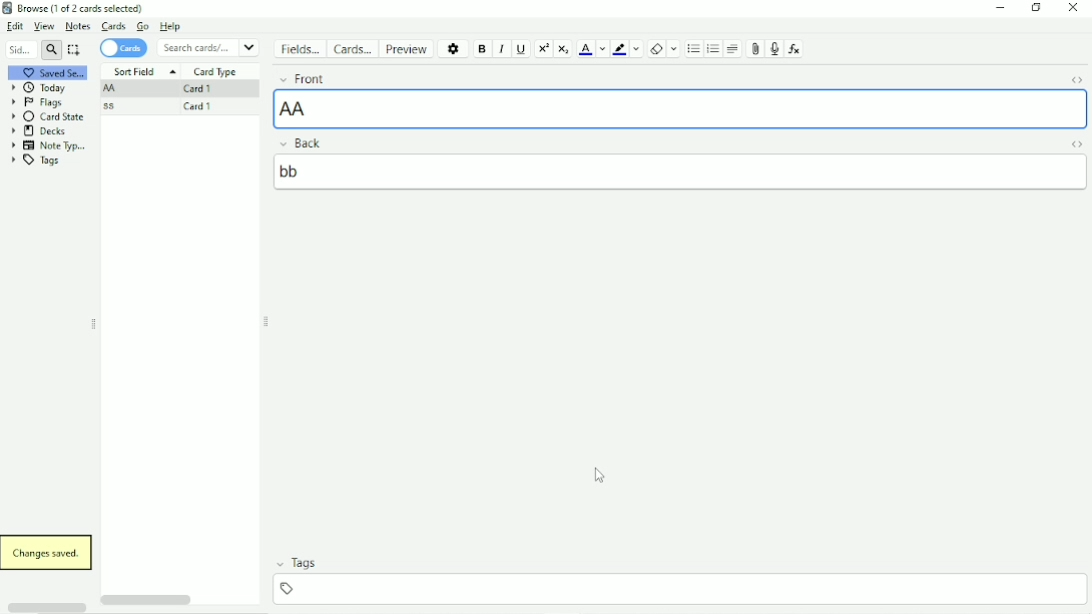 The image size is (1092, 614). I want to click on Search cards, so click(209, 47).